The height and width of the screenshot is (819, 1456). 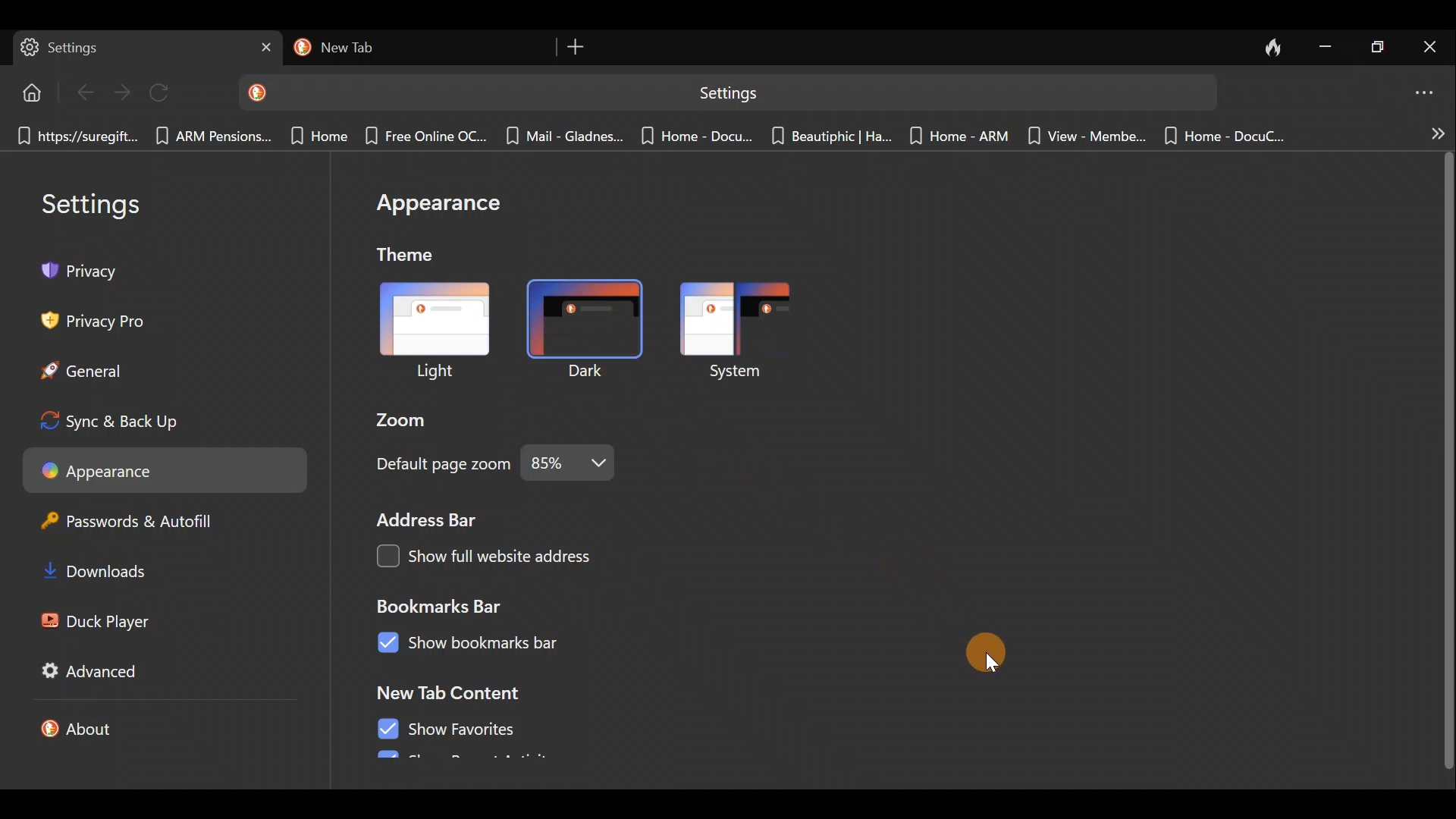 I want to click on Close tabs and clear data, so click(x=1273, y=47).